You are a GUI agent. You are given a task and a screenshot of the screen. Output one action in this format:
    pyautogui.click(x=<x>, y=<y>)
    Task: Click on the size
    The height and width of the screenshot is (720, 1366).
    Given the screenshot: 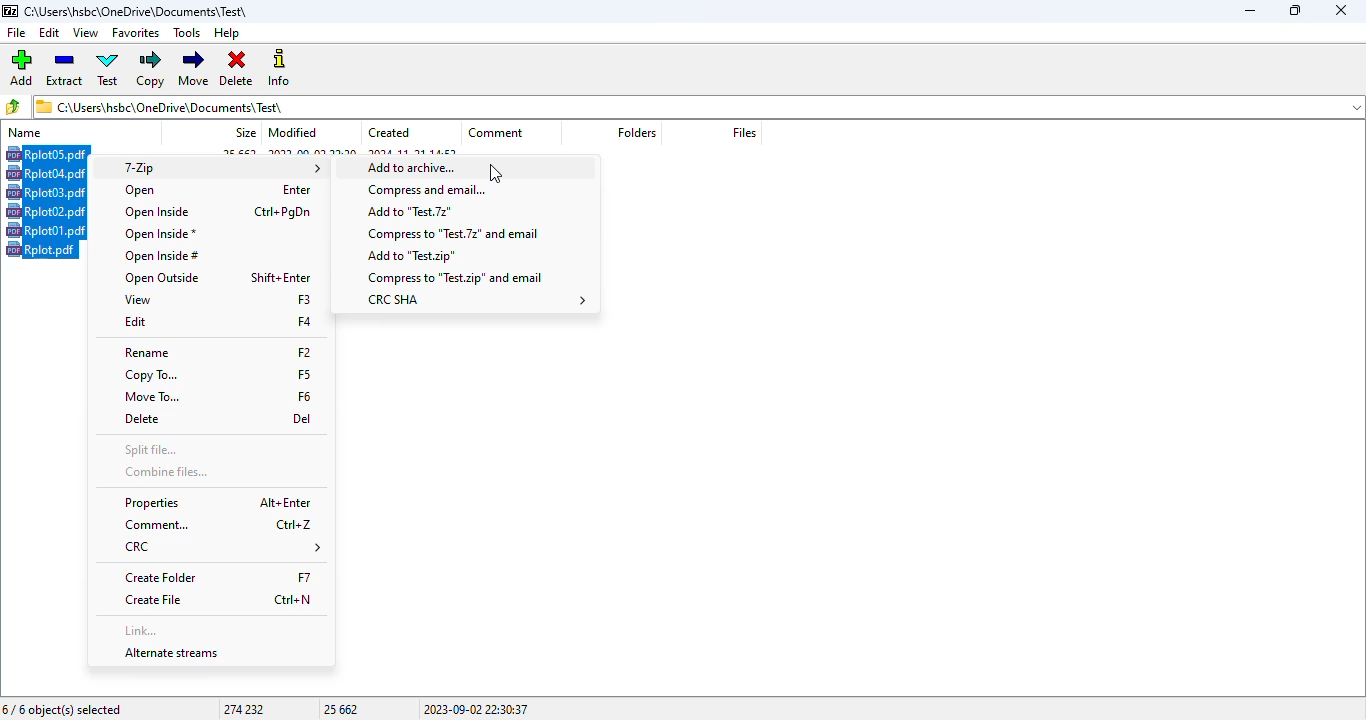 What is the action you would take?
    pyautogui.click(x=246, y=132)
    